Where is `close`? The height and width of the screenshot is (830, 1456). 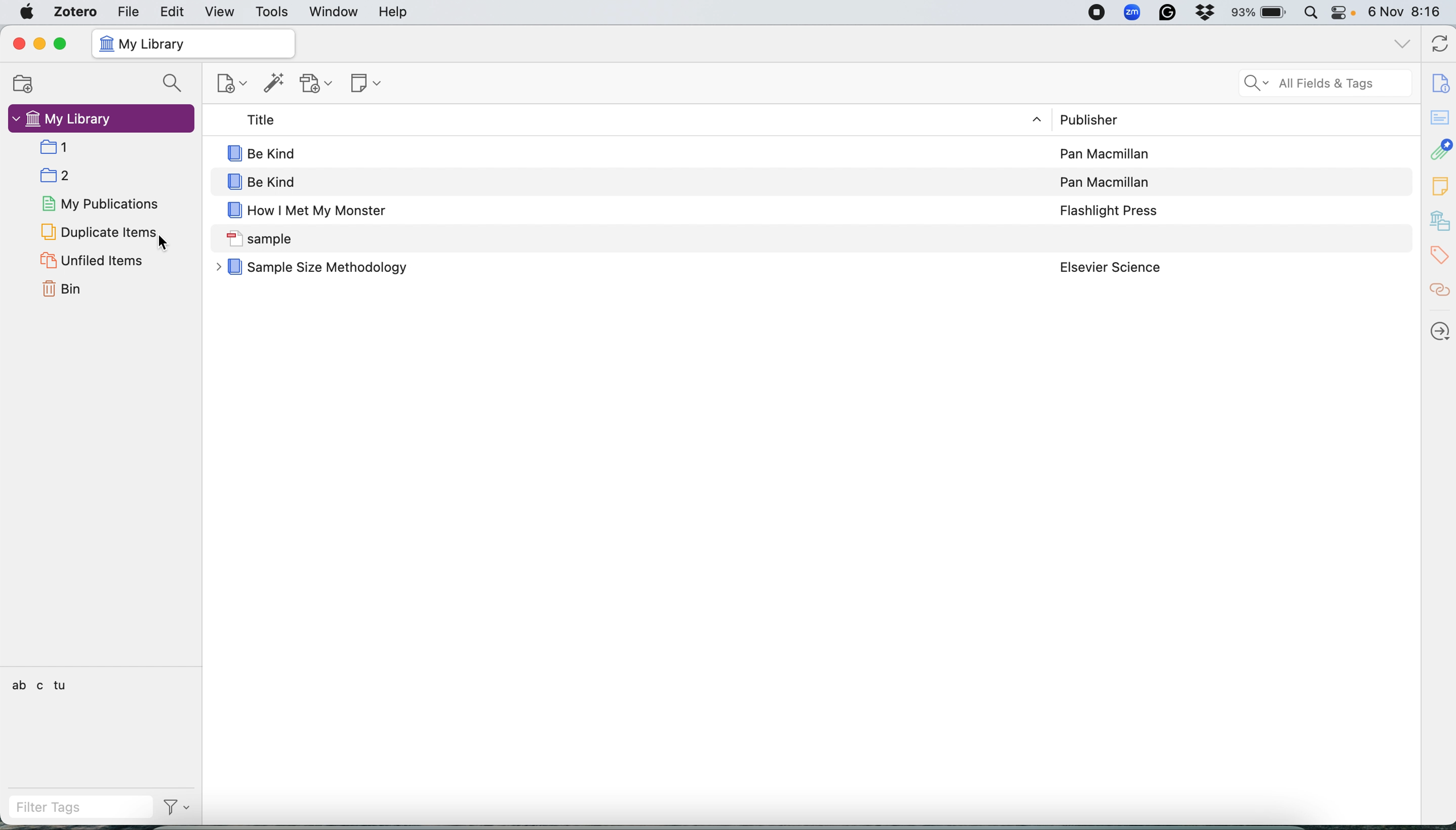 close is located at coordinates (19, 42).